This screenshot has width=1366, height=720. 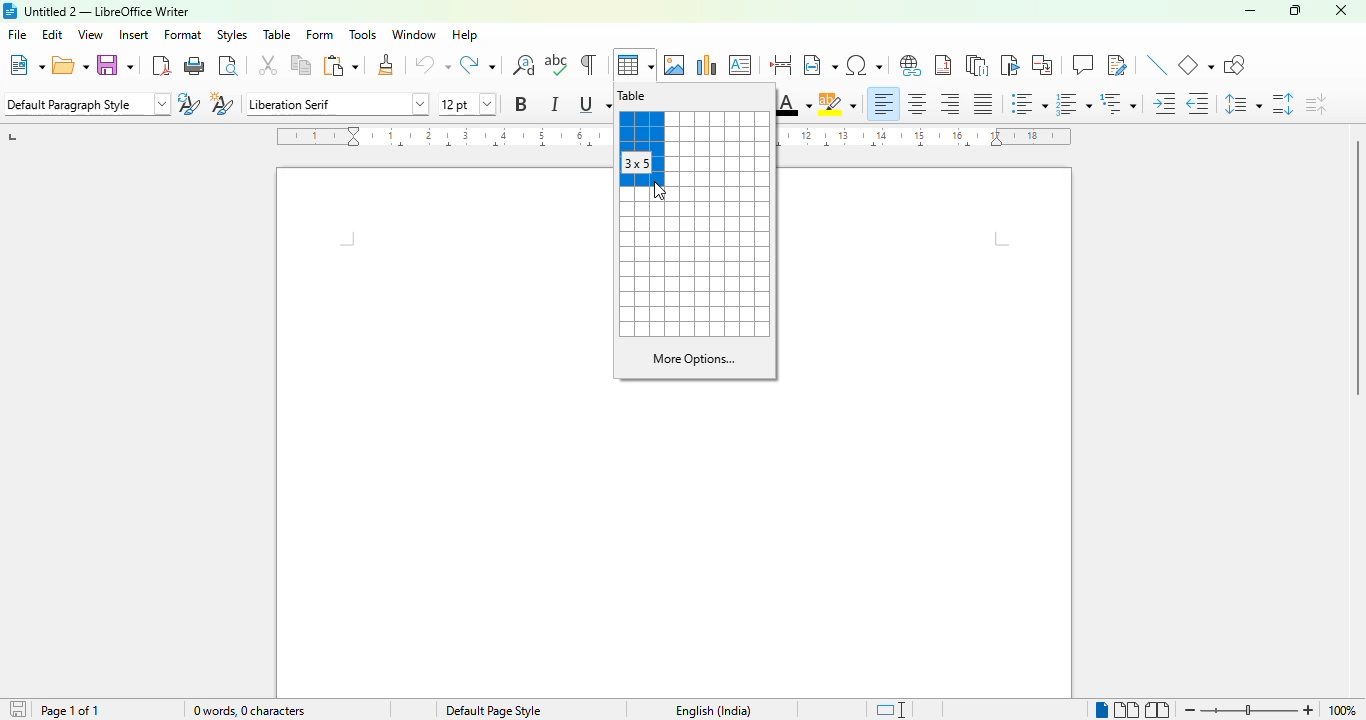 What do you see at coordinates (713, 710) in the screenshot?
I see `text language` at bounding box center [713, 710].